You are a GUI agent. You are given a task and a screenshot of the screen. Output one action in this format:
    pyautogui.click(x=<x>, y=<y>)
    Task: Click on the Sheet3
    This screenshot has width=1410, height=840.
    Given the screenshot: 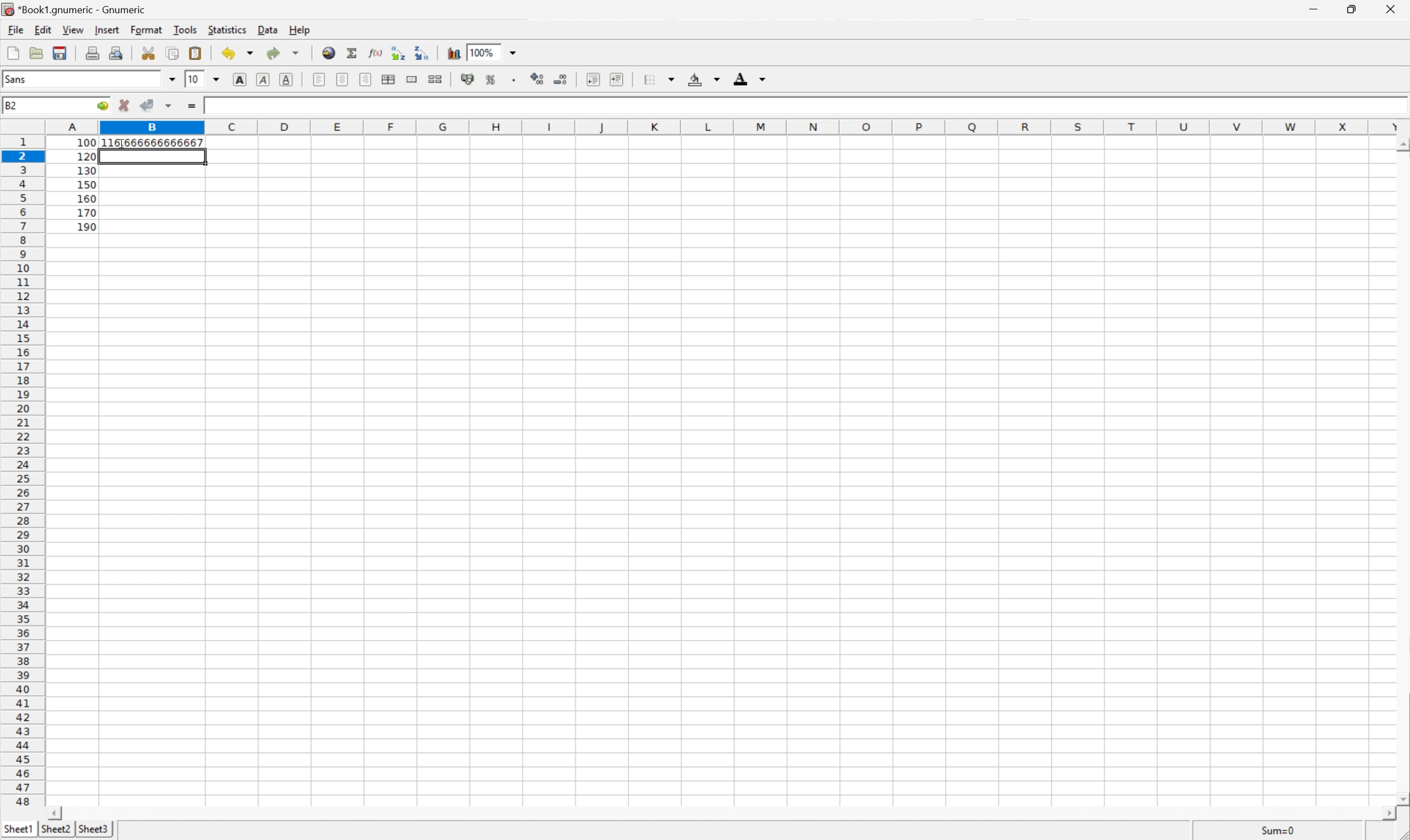 What is the action you would take?
    pyautogui.click(x=96, y=830)
    